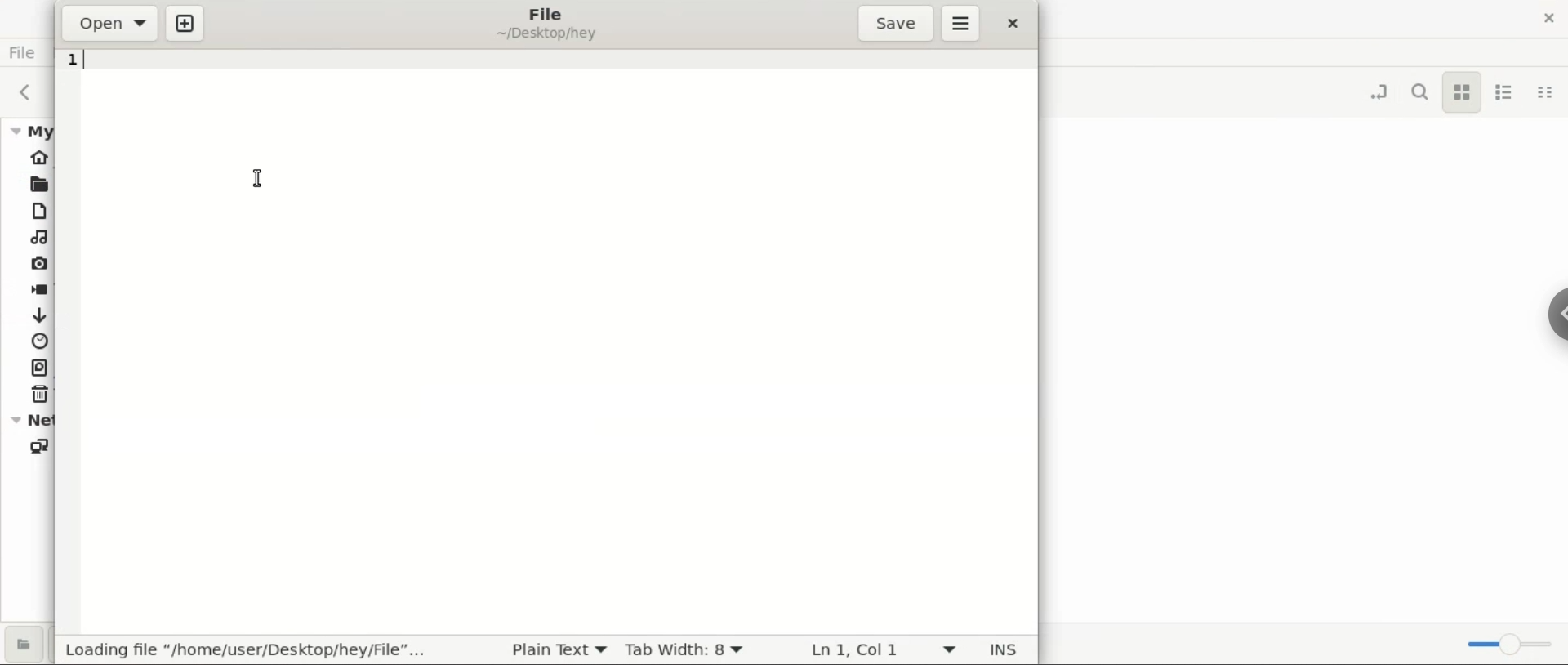 The height and width of the screenshot is (665, 1568). Describe the element at coordinates (679, 649) in the screenshot. I see `tab width` at that location.